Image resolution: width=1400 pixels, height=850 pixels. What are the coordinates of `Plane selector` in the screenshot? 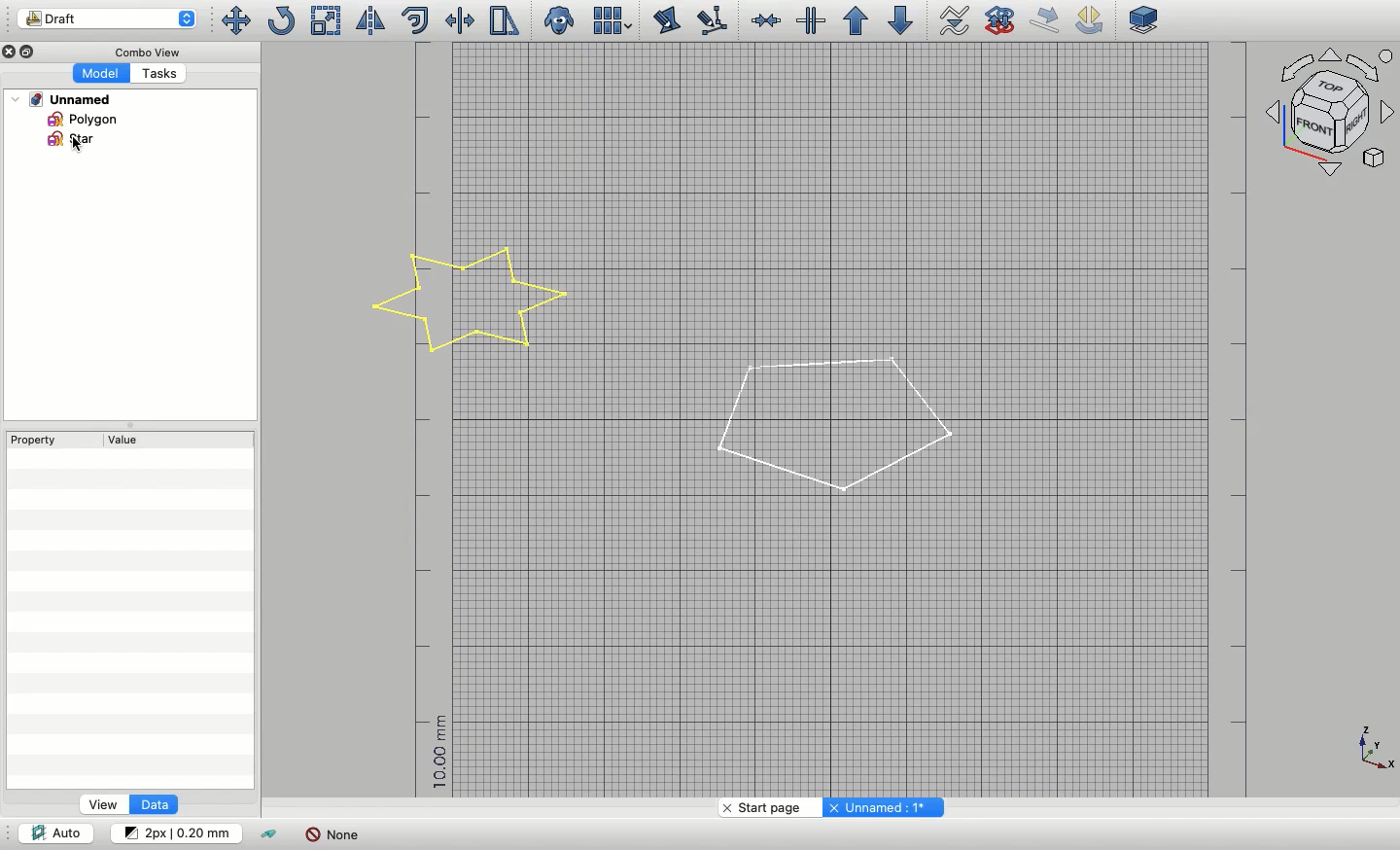 It's located at (1145, 19).